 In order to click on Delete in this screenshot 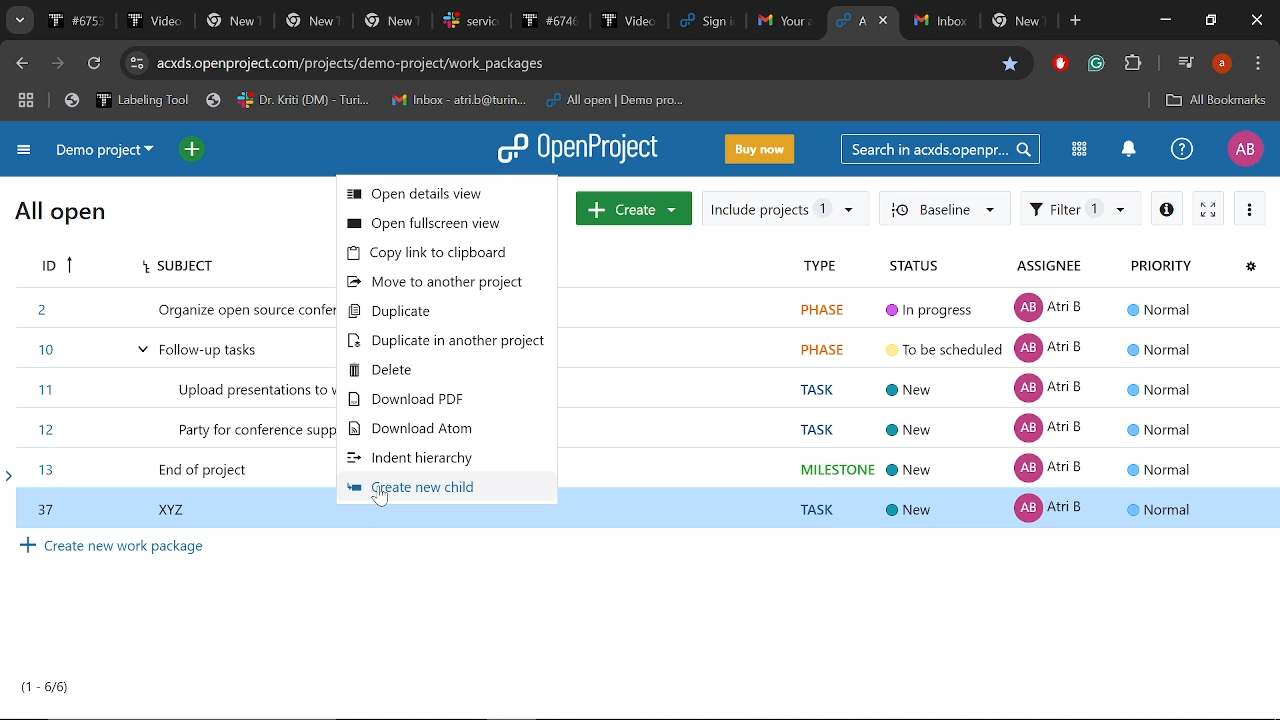, I will do `click(443, 369)`.